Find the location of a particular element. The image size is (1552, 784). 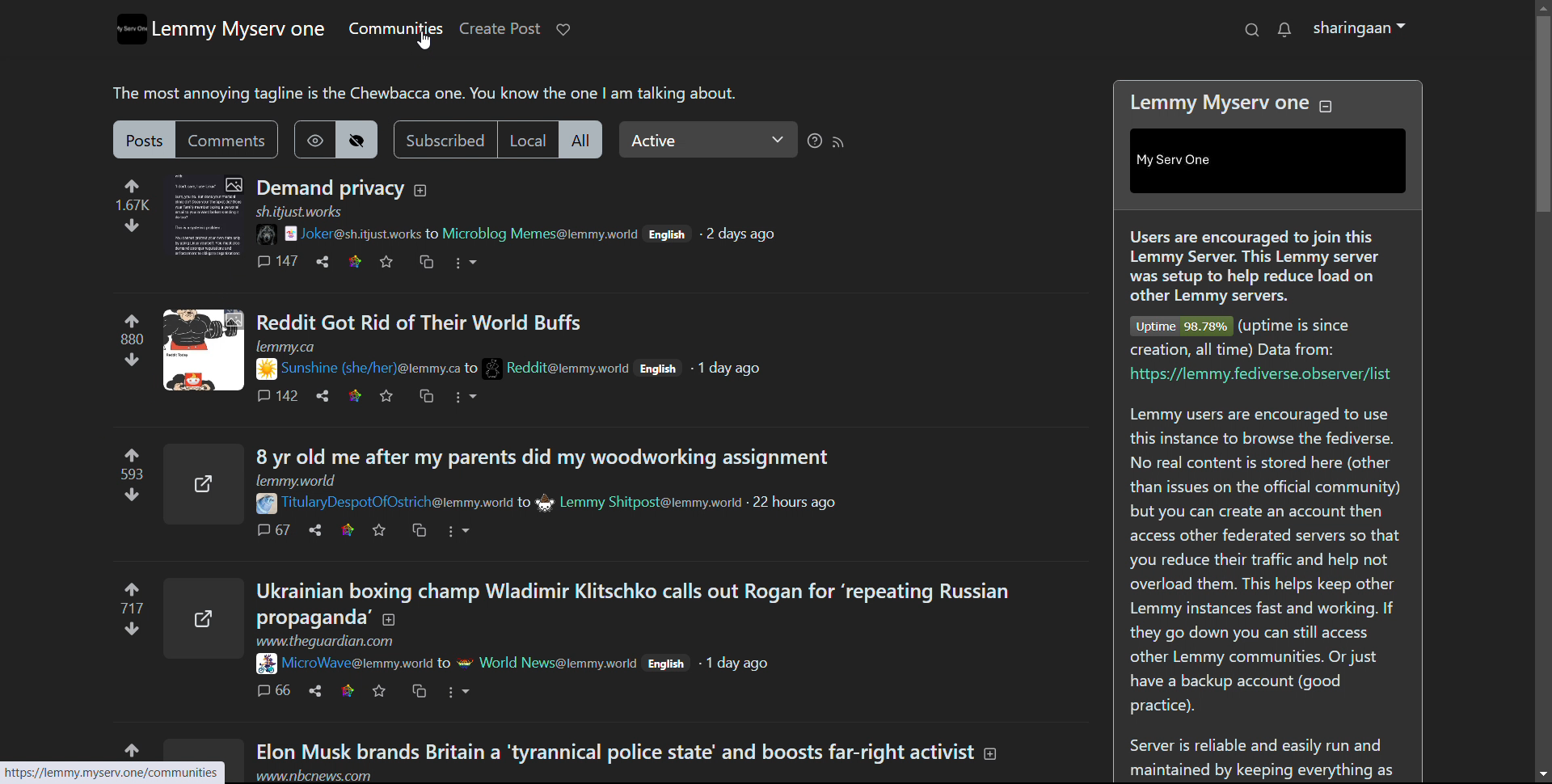

collapse is located at coordinates (1326, 107).